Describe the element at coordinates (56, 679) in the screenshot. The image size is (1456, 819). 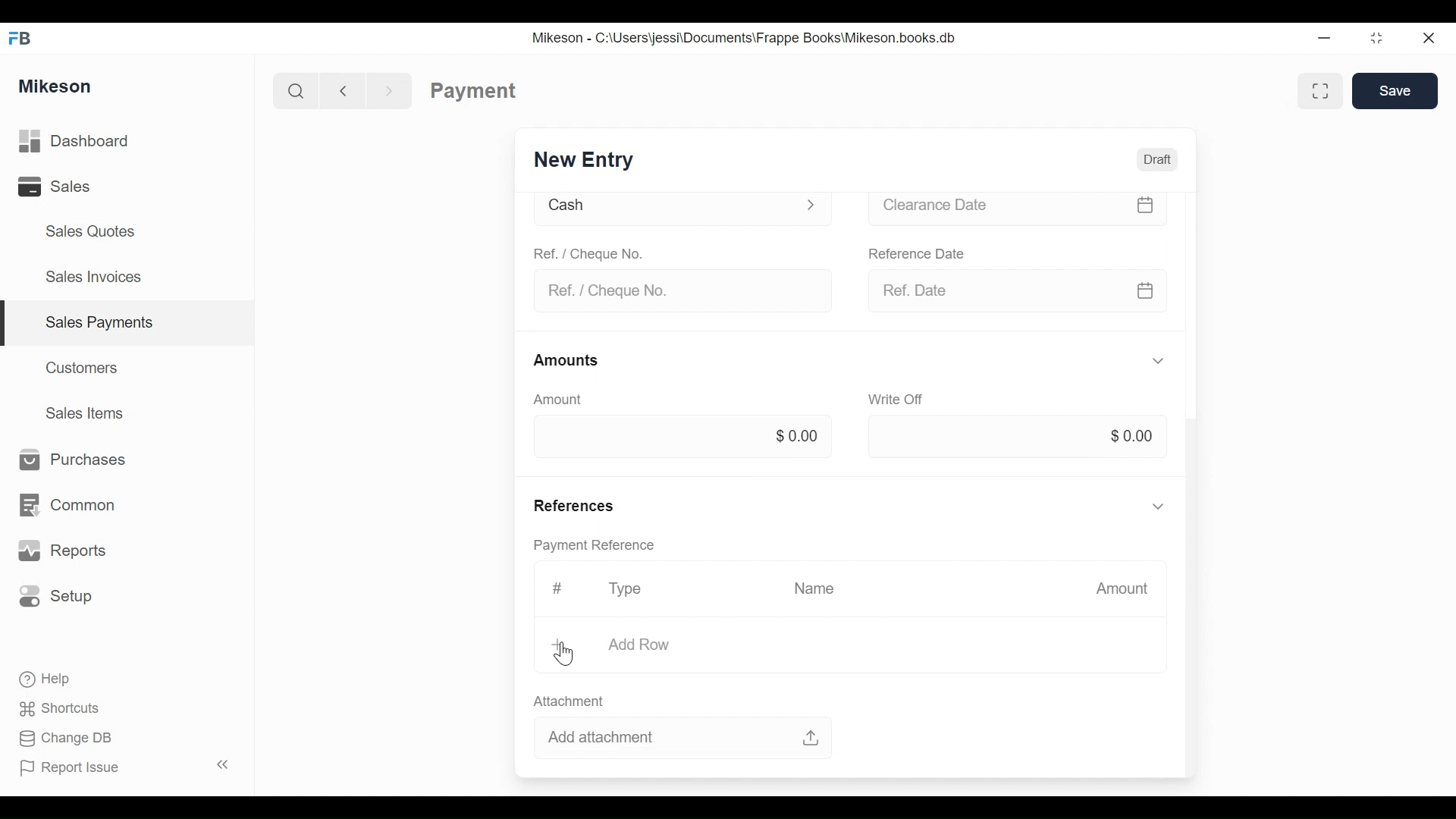
I see `Help` at that location.